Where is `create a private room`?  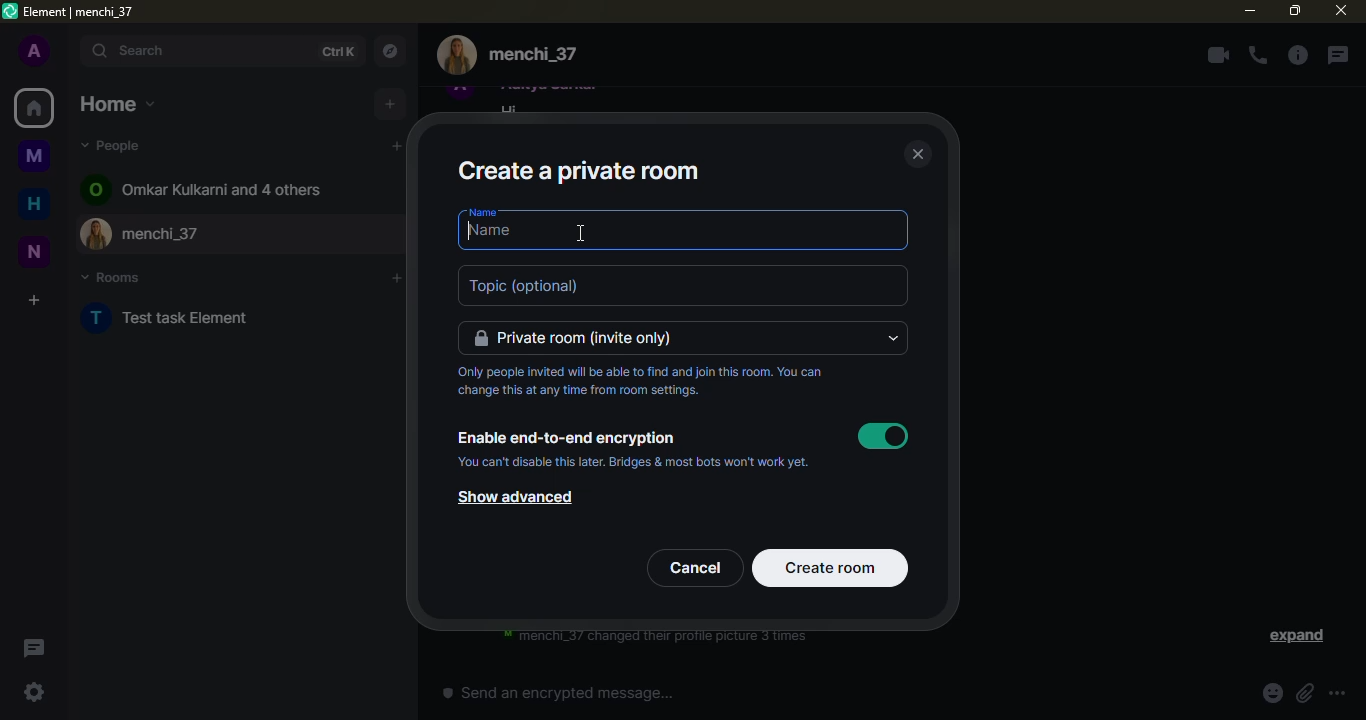
create a private room is located at coordinates (578, 172).